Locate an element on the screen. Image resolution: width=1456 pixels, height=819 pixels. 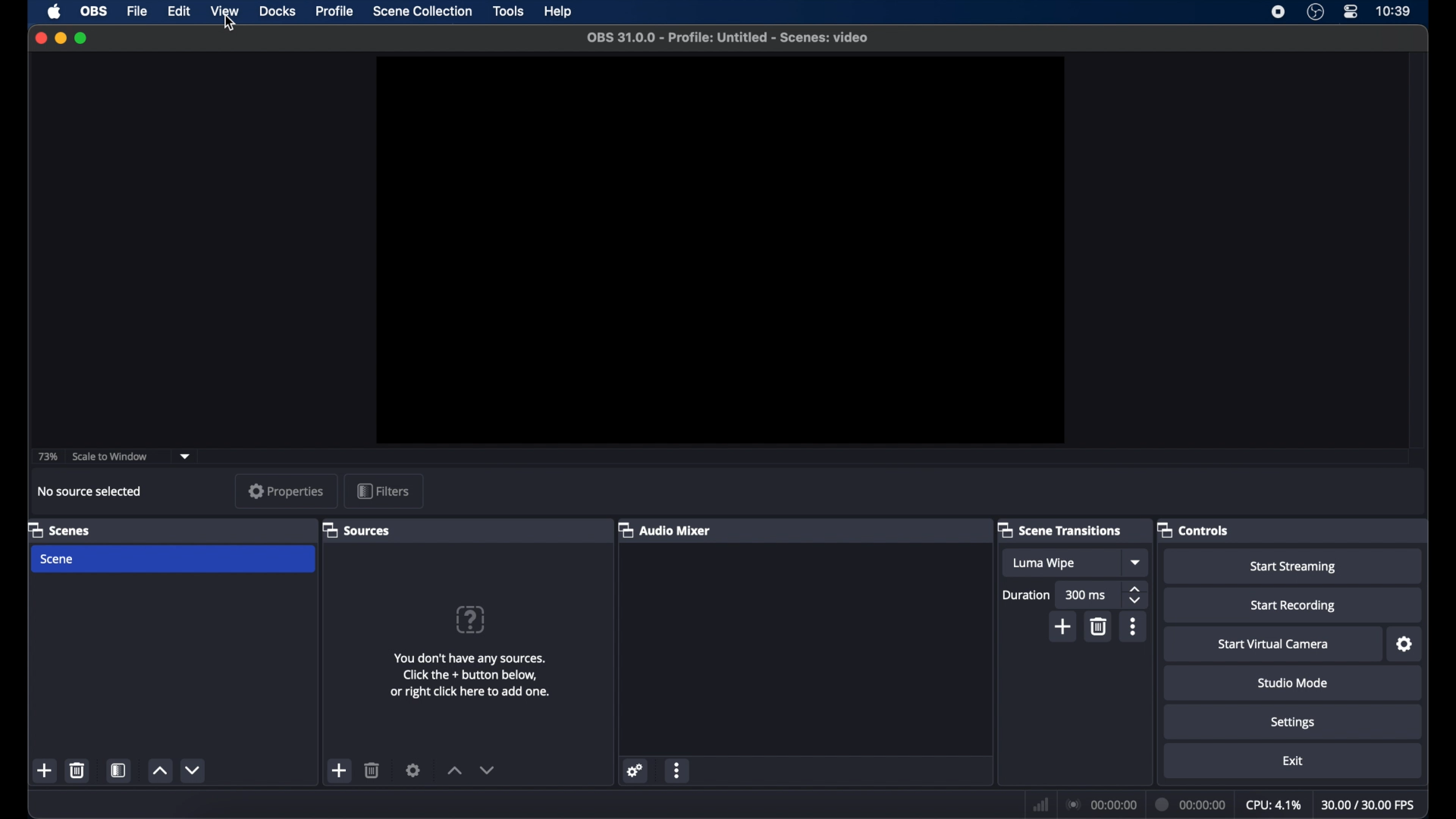
minimize is located at coordinates (60, 38).